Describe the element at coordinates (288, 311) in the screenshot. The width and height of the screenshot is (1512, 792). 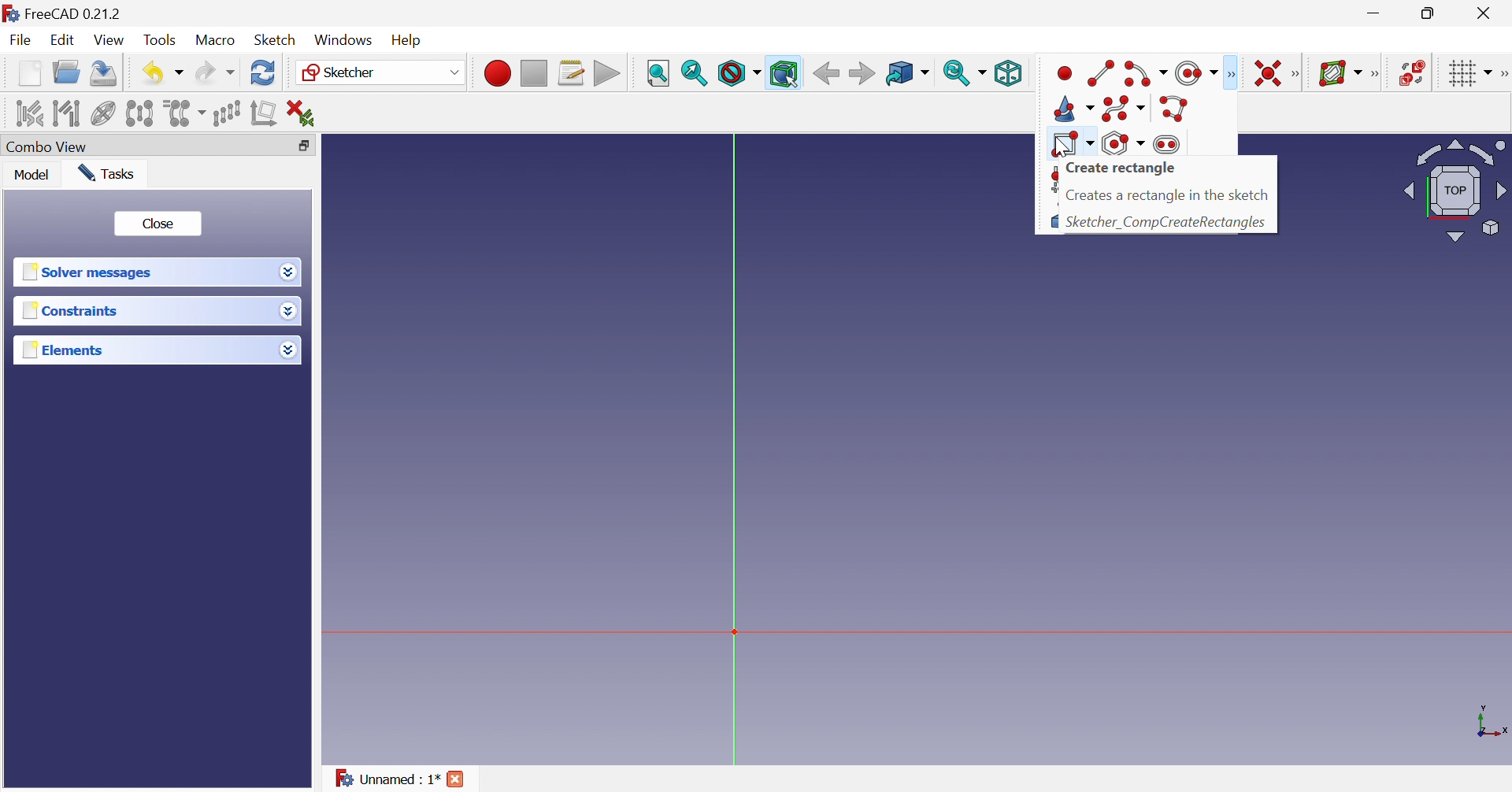
I see `Drop down` at that location.